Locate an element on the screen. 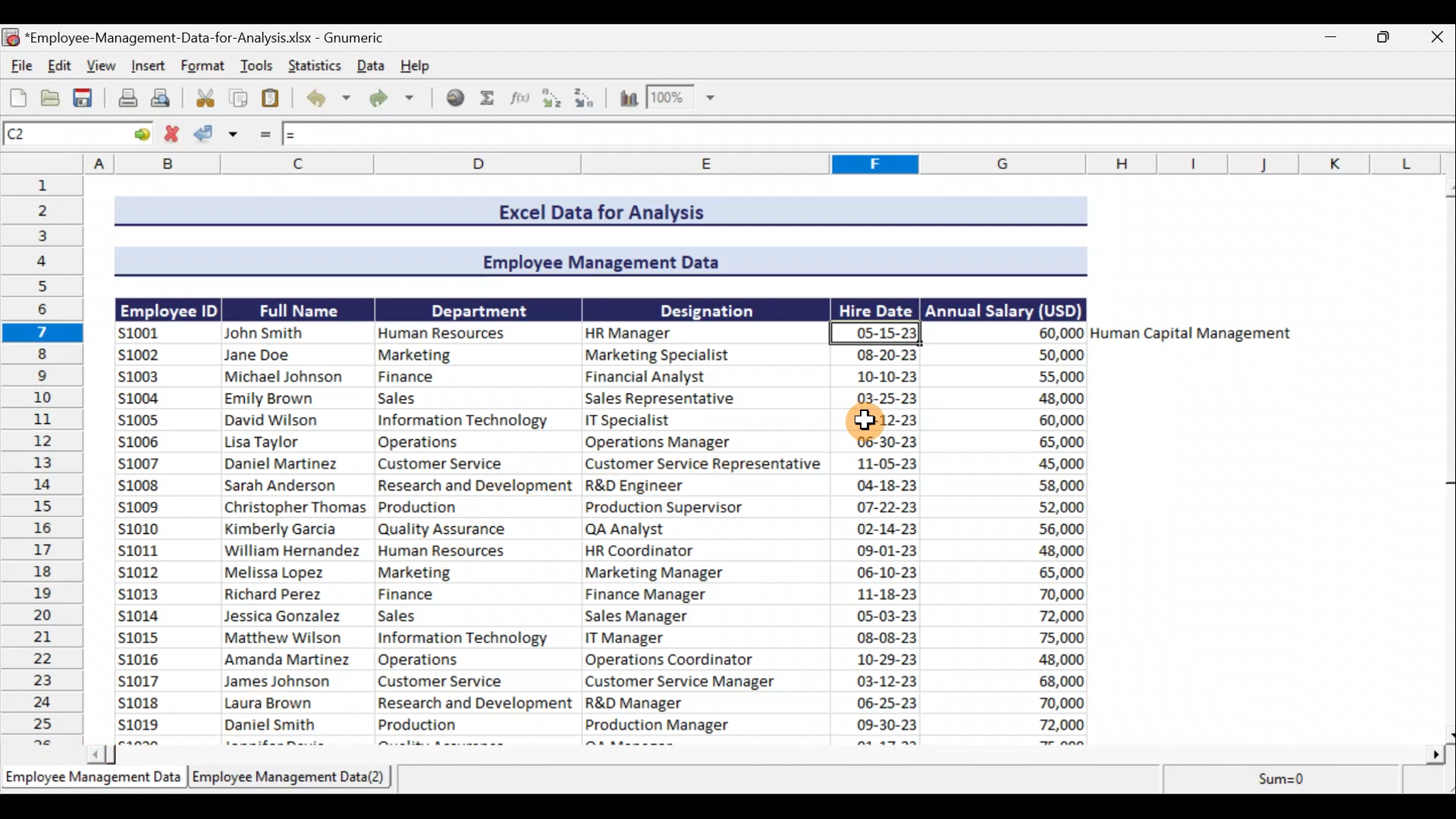 Image resolution: width=1456 pixels, height=819 pixels. Edit a function in the current cell is located at coordinates (525, 99).